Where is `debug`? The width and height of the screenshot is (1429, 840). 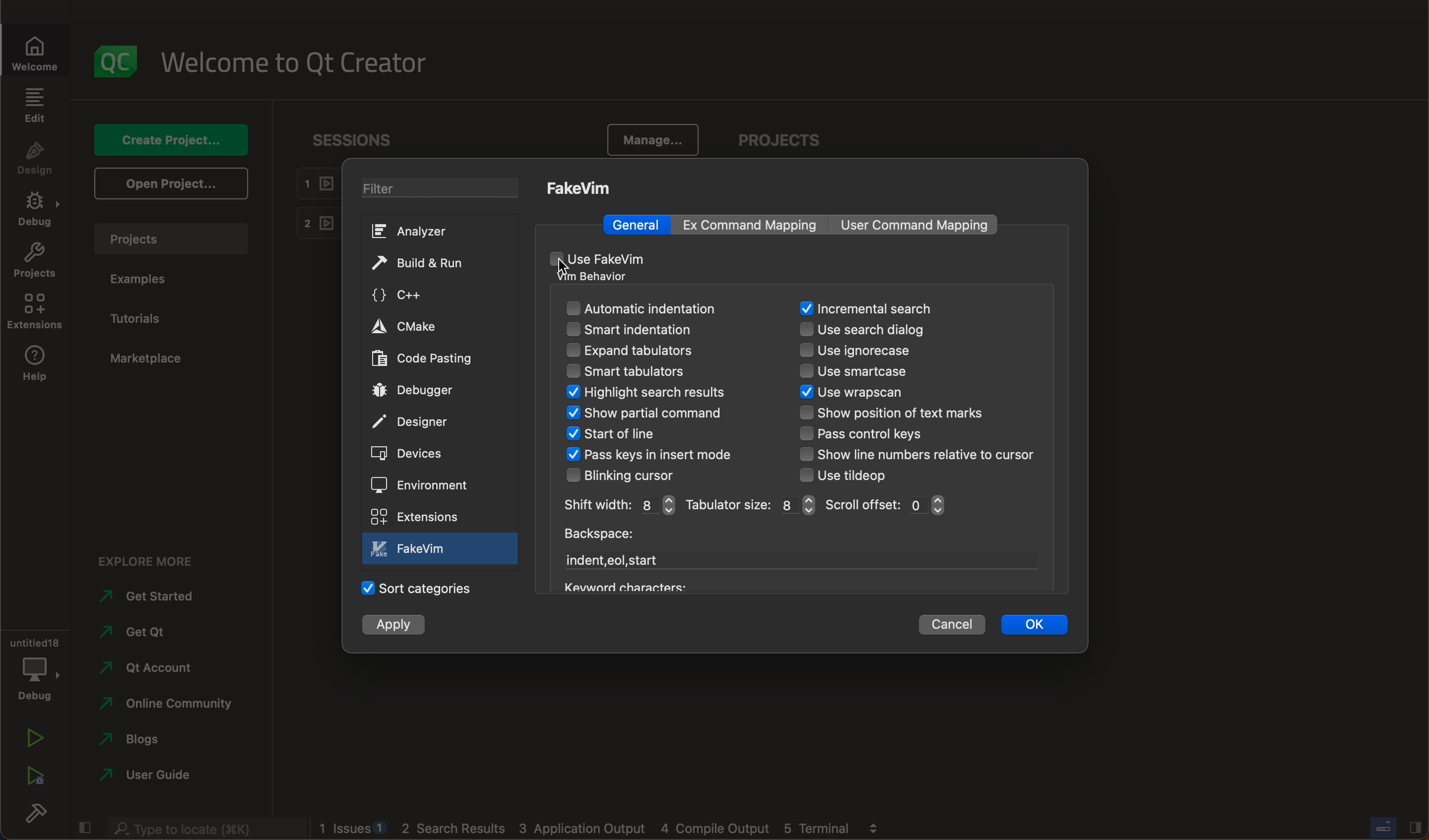 debug is located at coordinates (36, 667).